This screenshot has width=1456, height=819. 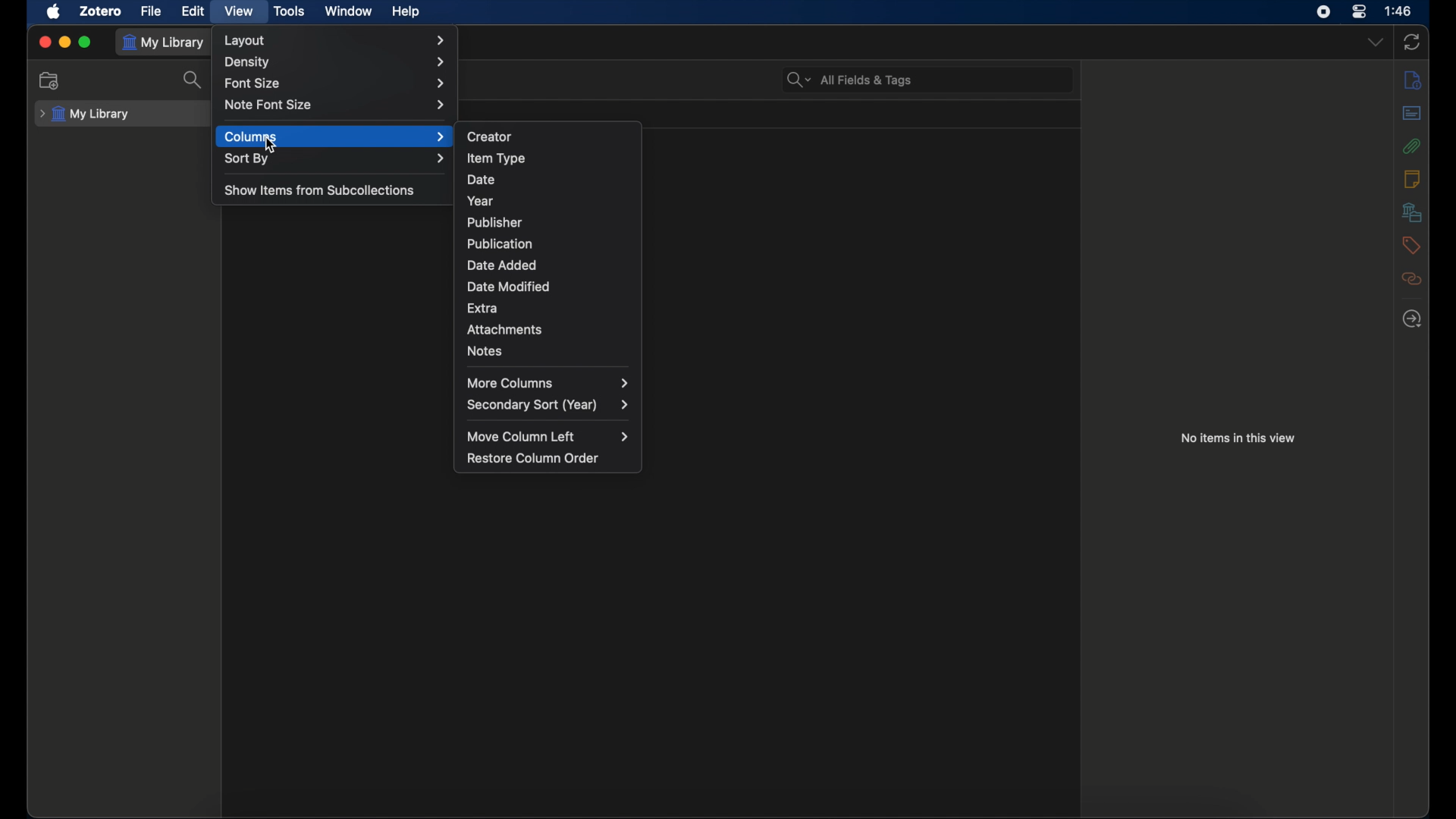 What do you see at coordinates (481, 178) in the screenshot?
I see `date` at bounding box center [481, 178].